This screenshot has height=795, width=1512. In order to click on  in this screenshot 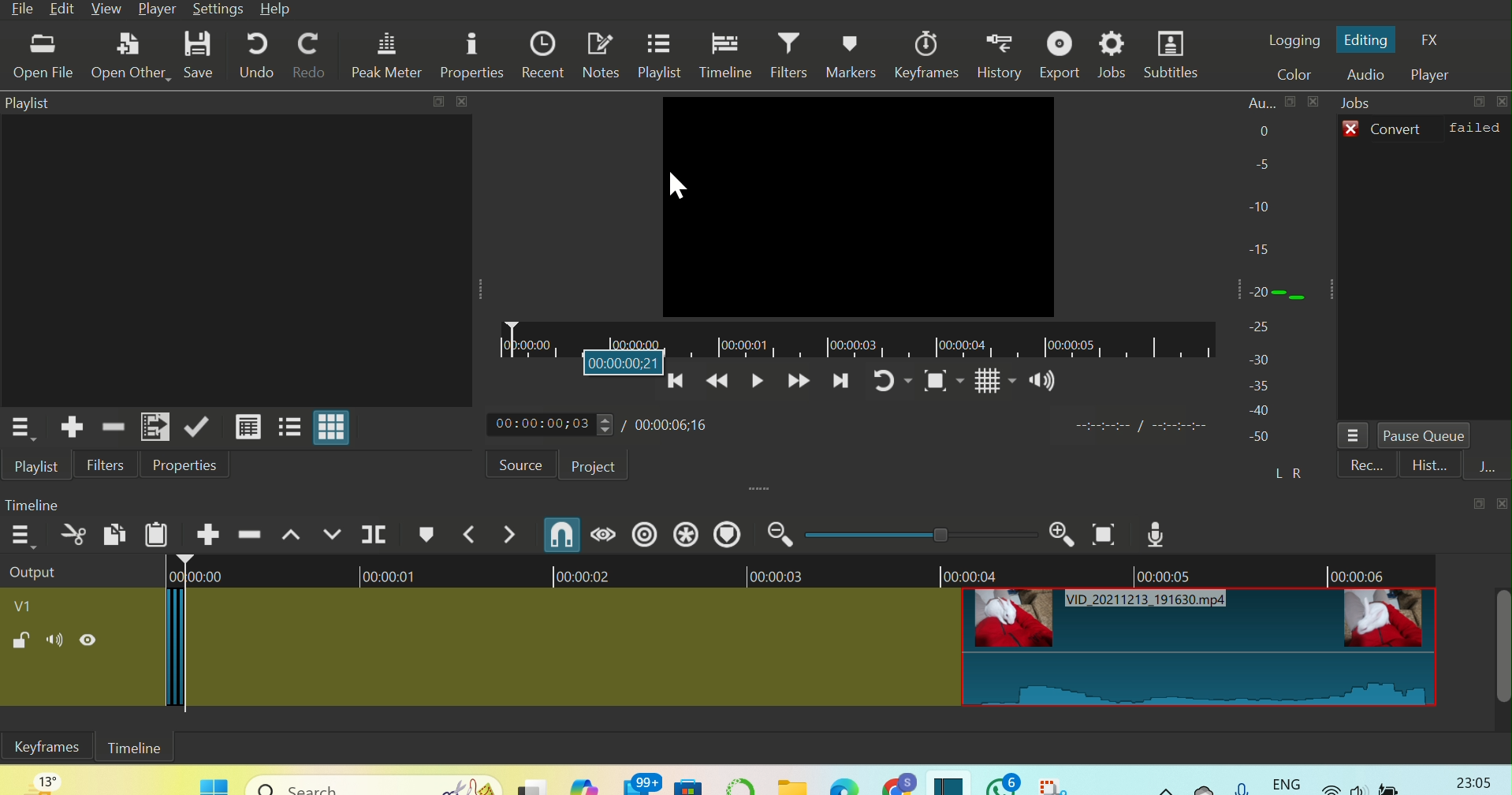, I will do `click(1503, 101)`.